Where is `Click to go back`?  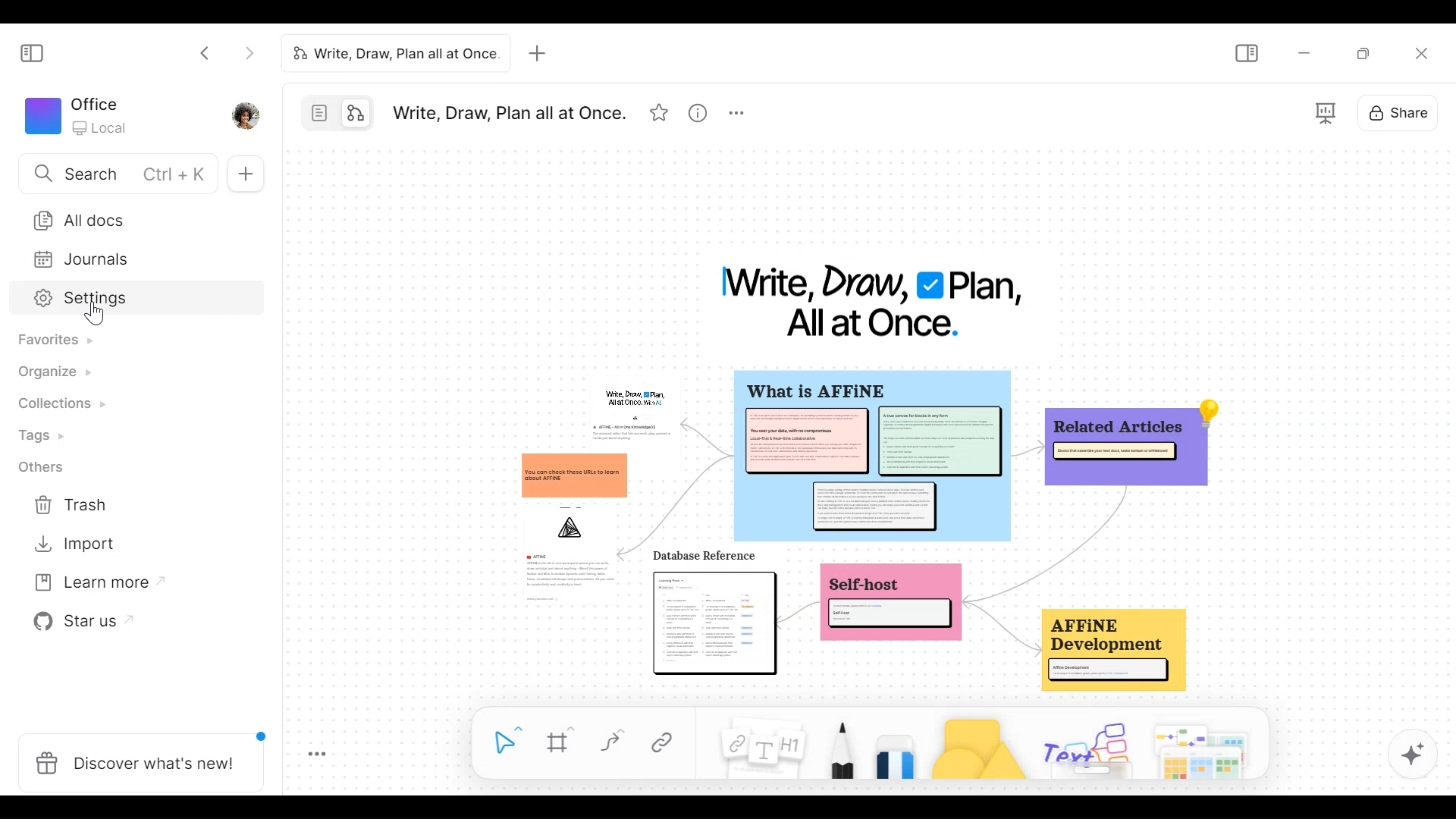 Click to go back is located at coordinates (204, 53).